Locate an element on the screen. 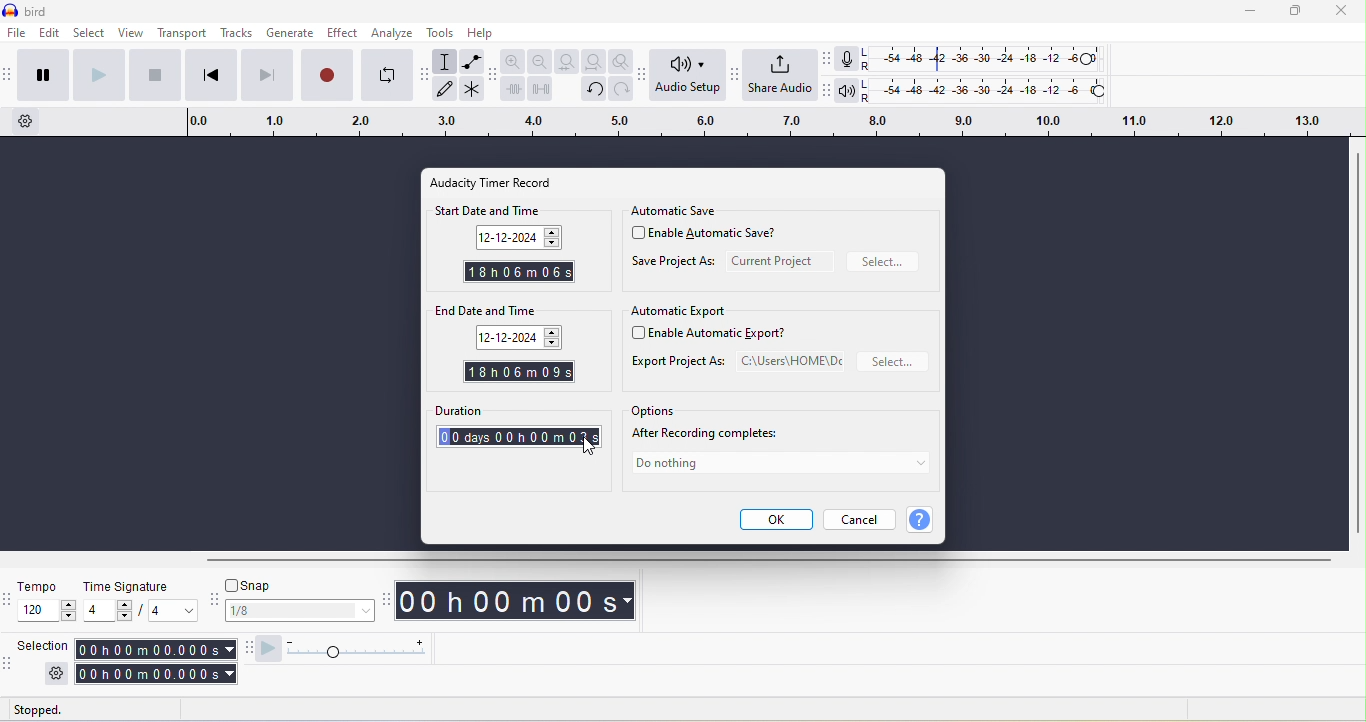  tempo is located at coordinates (46, 612).